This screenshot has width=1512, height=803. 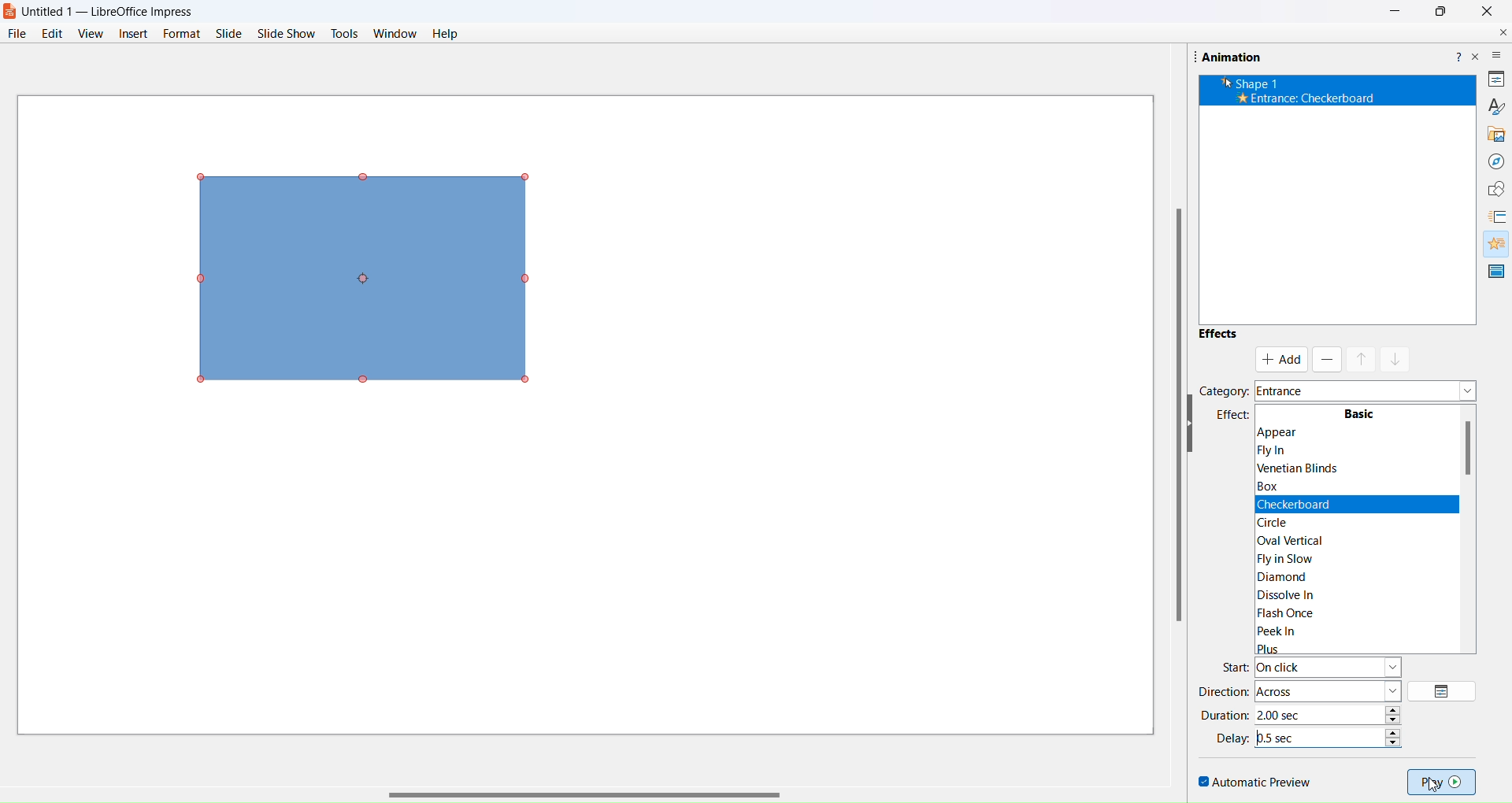 I want to click on Box, so click(x=1275, y=485).